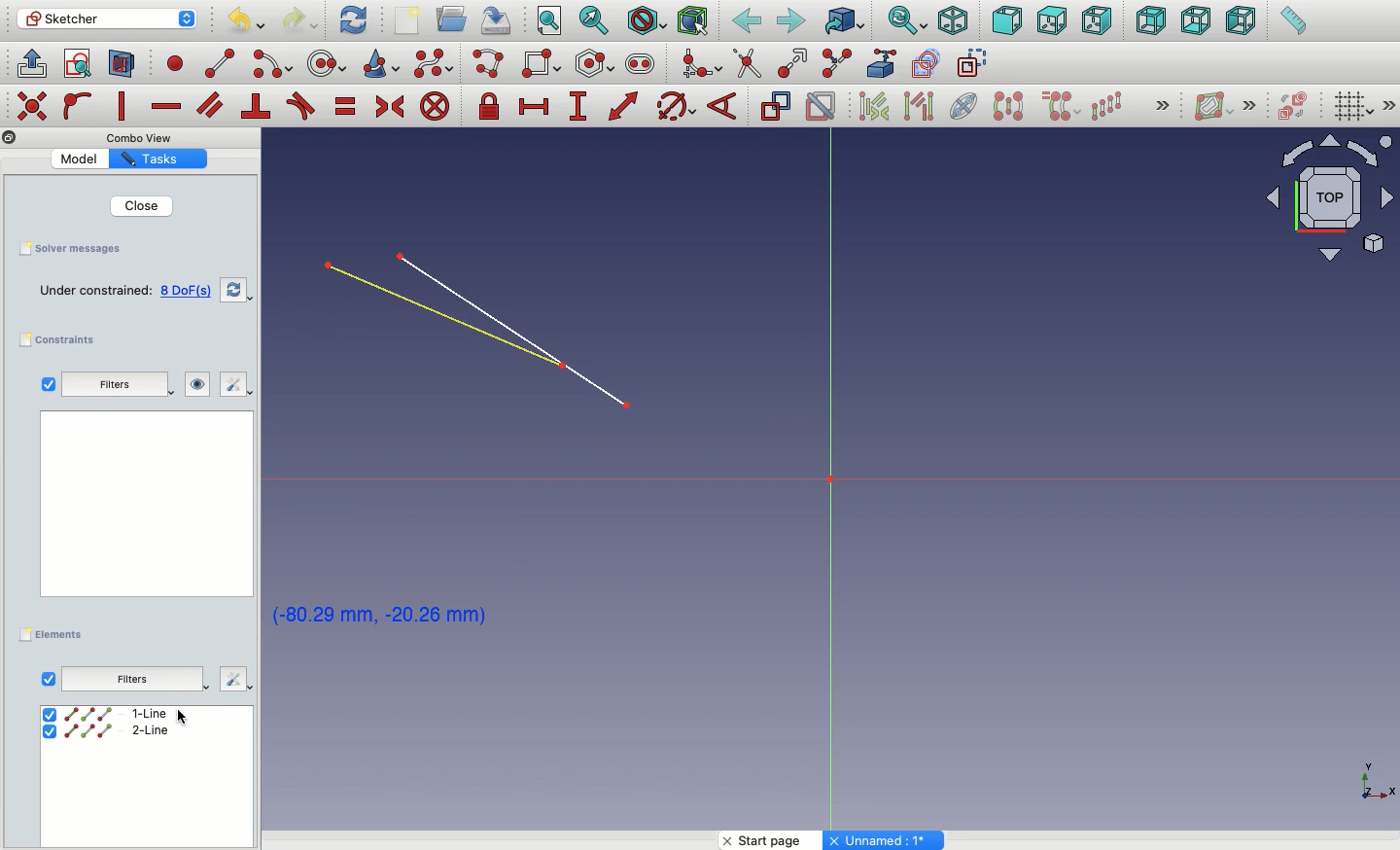 The height and width of the screenshot is (850, 1400). I want to click on , so click(137, 680).